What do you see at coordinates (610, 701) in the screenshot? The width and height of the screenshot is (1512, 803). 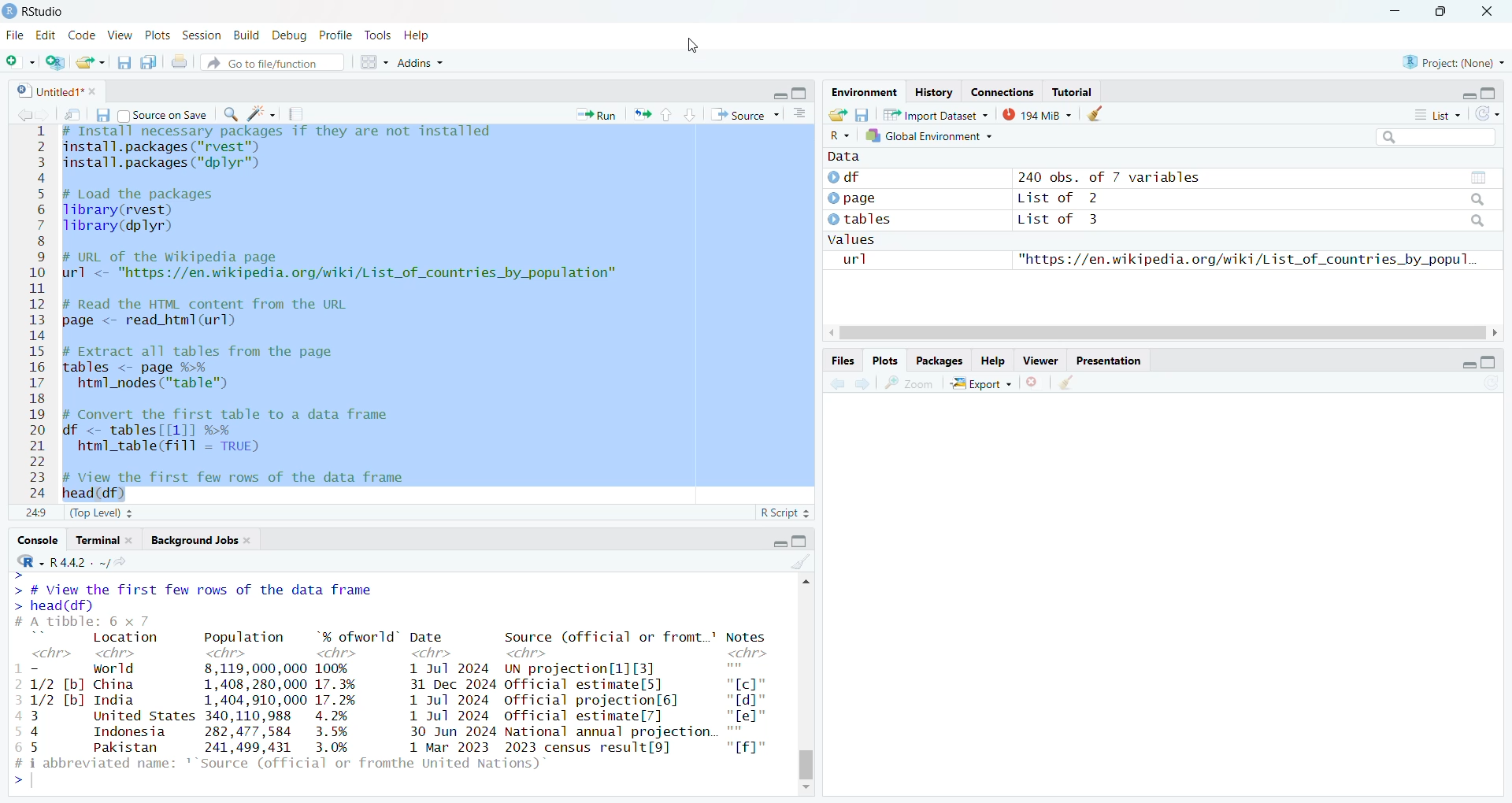 I see `<chr>UN projection[1][3] official estimate[5] official projection[6] official estimate[7] National annual projection. 2023 census result[9]` at bounding box center [610, 701].